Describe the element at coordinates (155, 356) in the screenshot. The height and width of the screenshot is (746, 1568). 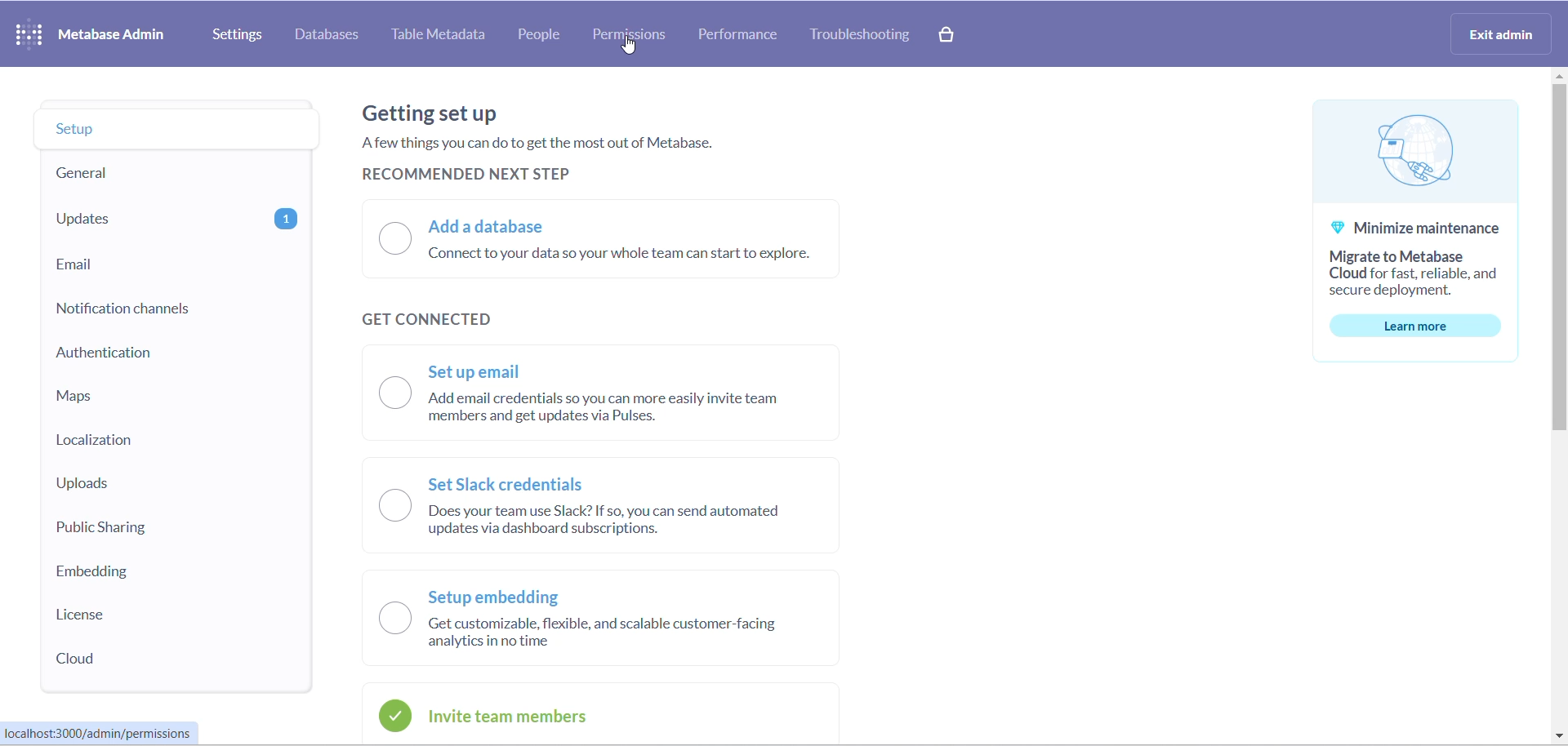
I see `authentication channels` at that location.